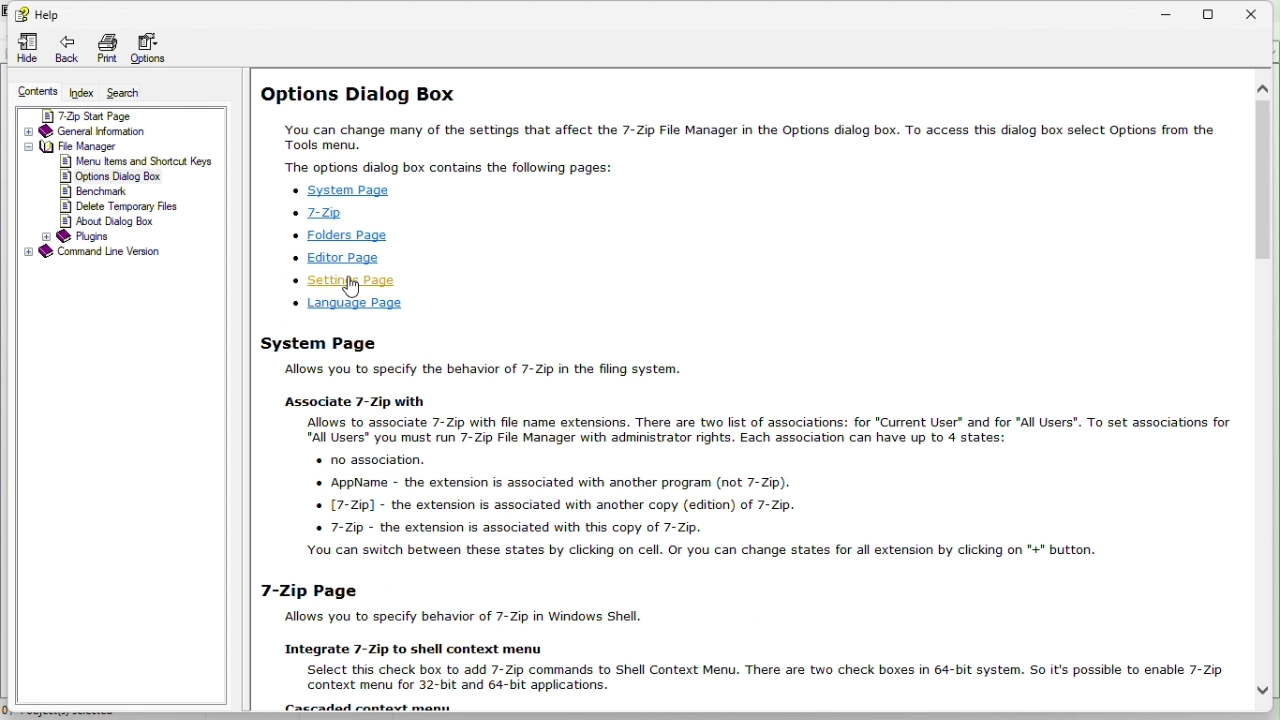 The image size is (1280, 720). Describe the element at coordinates (745, 125) in the screenshot. I see `options dialog box help page` at that location.